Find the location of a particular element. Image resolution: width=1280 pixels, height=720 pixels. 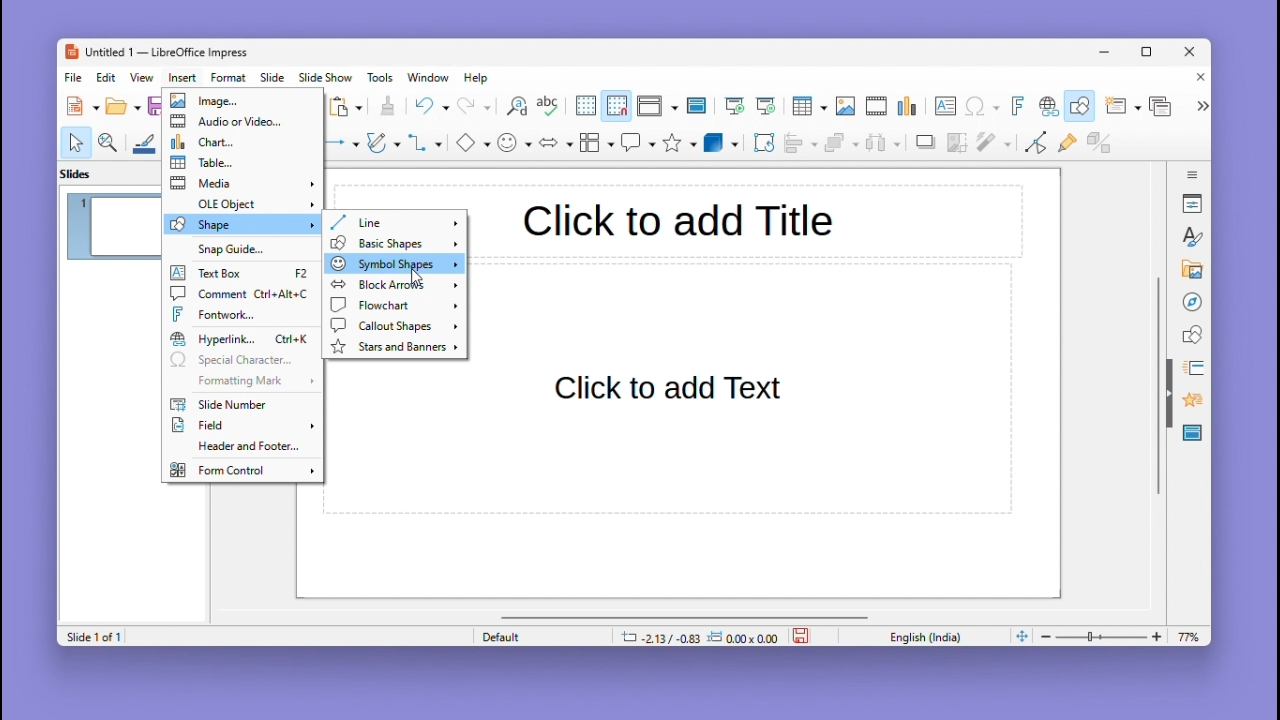

Draw function is located at coordinates (1082, 106).